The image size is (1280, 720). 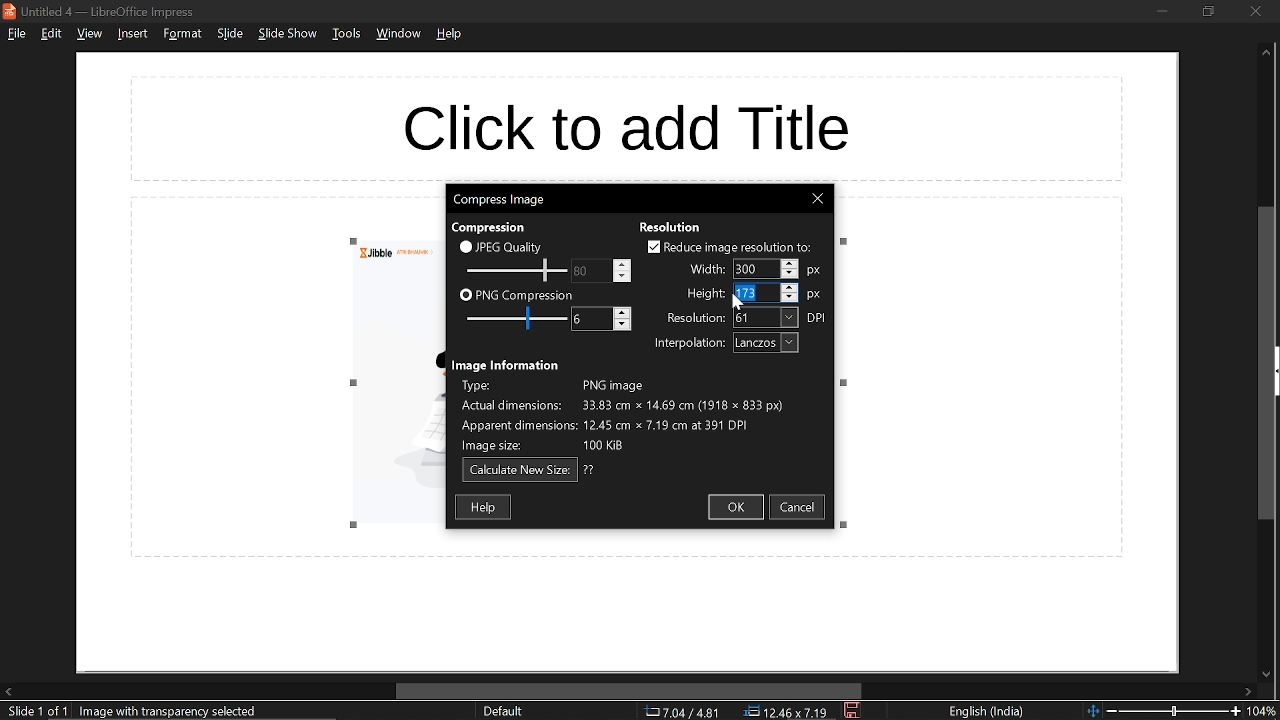 What do you see at coordinates (689, 344) in the screenshot?
I see `text` at bounding box center [689, 344].